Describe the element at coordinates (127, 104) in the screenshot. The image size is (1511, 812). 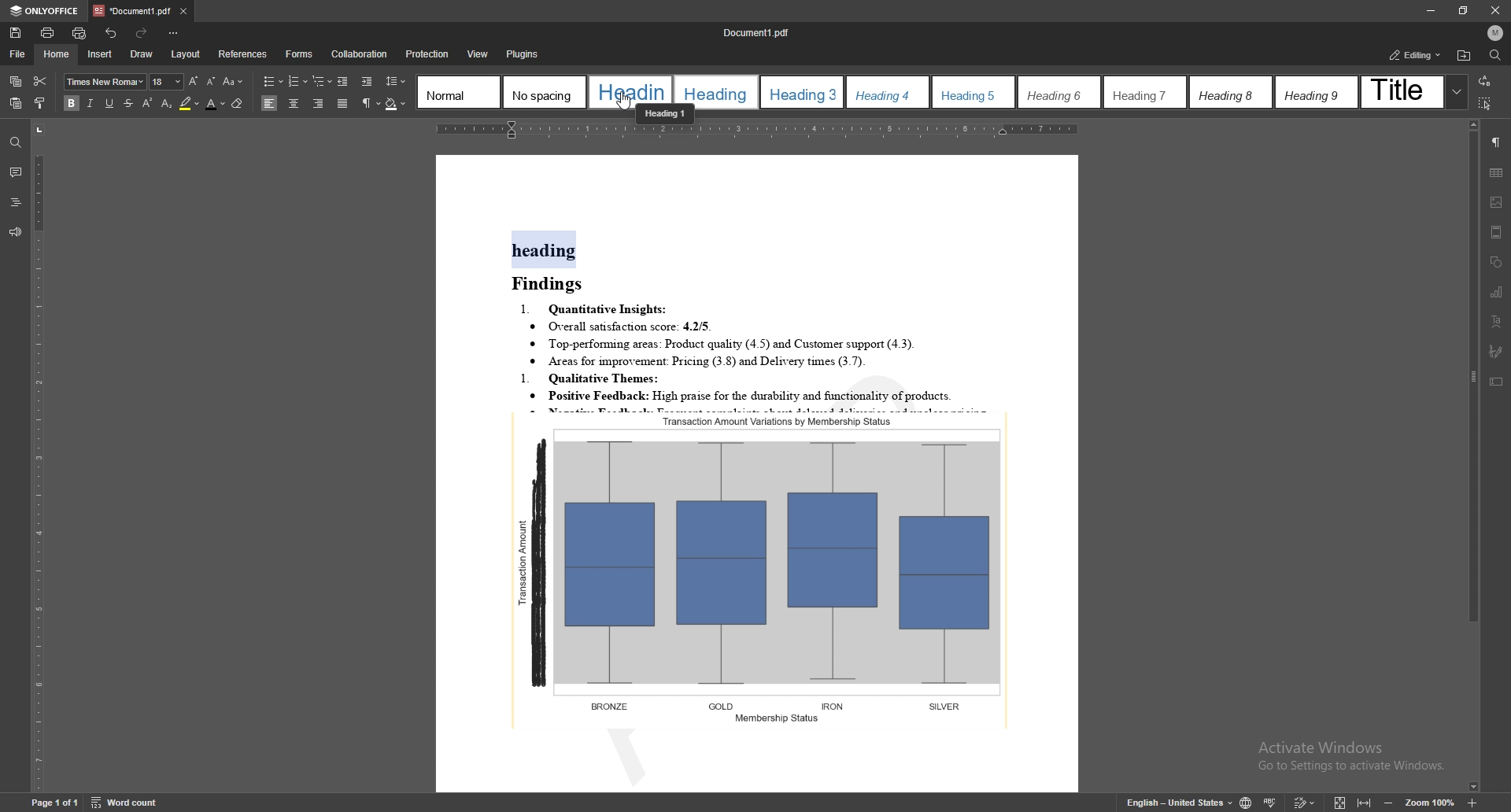
I see `strikethrough` at that location.